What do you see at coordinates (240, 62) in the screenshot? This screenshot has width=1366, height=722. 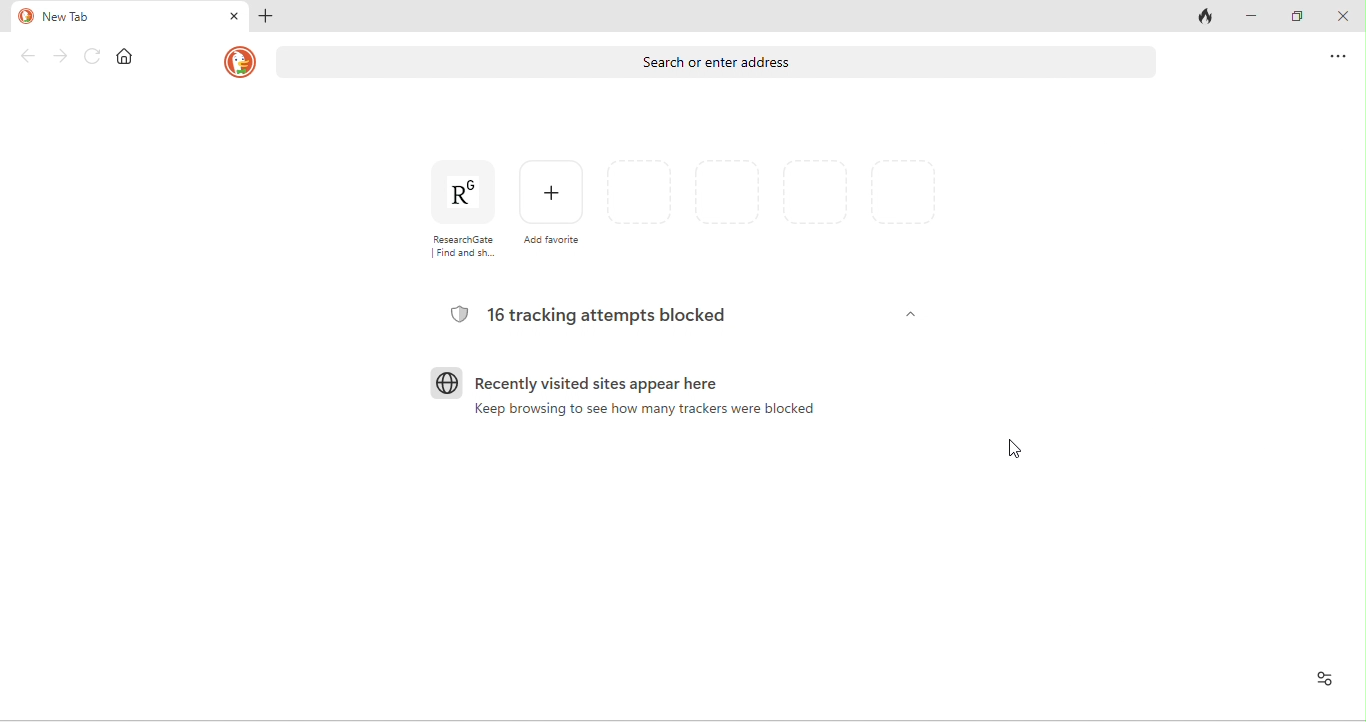 I see `duck duck go logo` at bounding box center [240, 62].